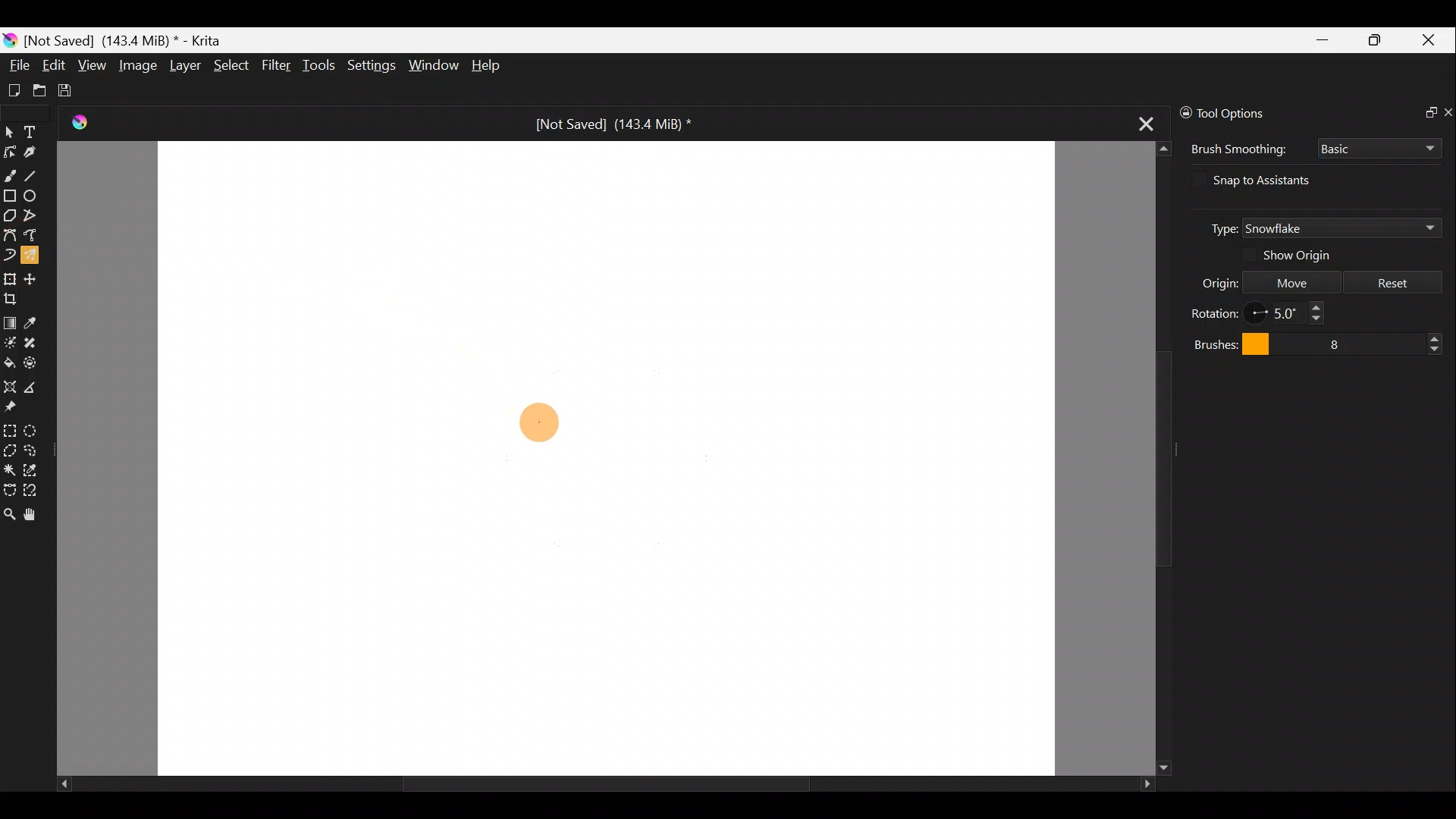 The image size is (1456, 819). What do you see at coordinates (1236, 149) in the screenshot?
I see `Brush smoothing` at bounding box center [1236, 149].